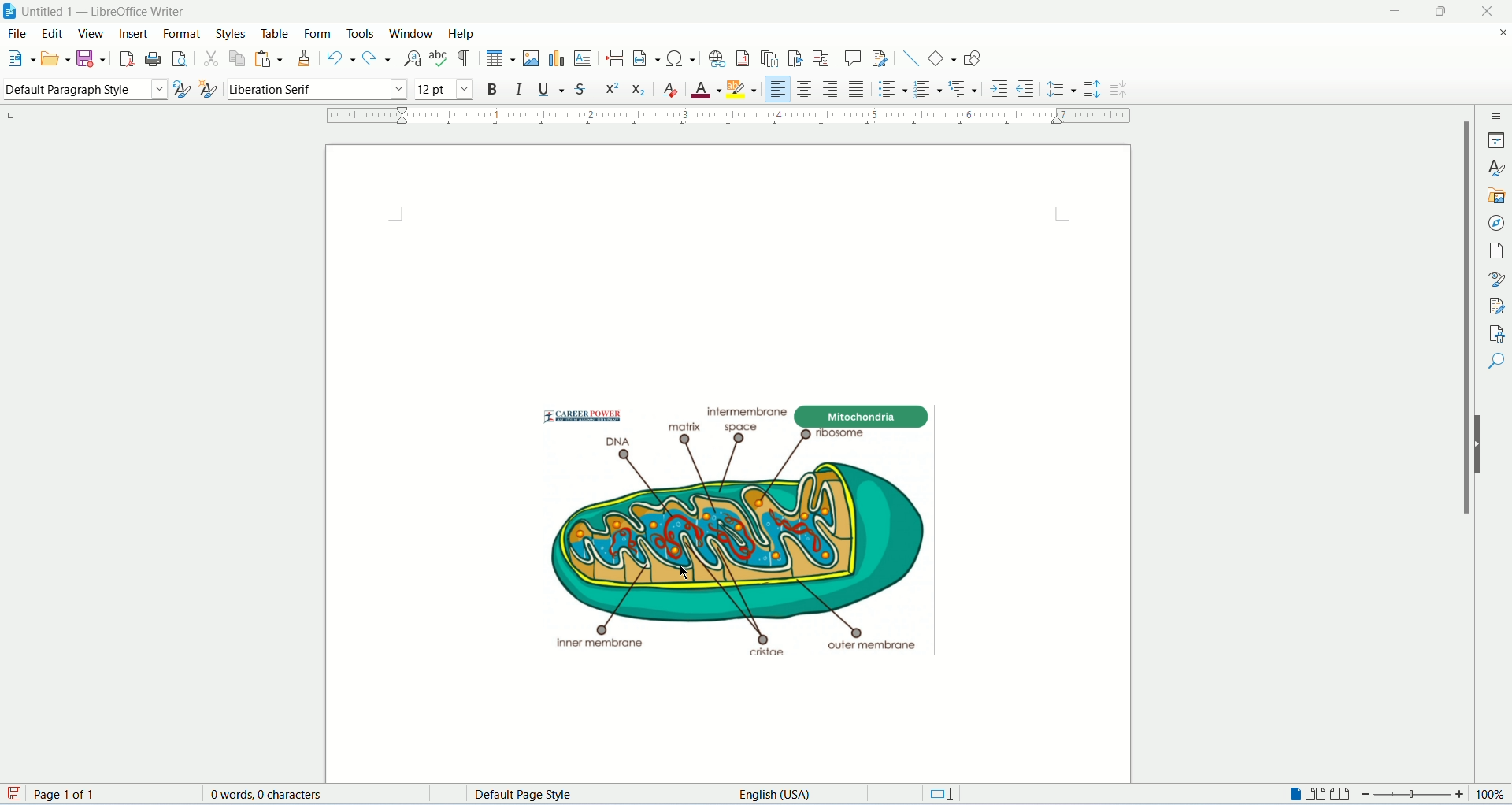  Describe the element at coordinates (180, 59) in the screenshot. I see `print preview` at that location.